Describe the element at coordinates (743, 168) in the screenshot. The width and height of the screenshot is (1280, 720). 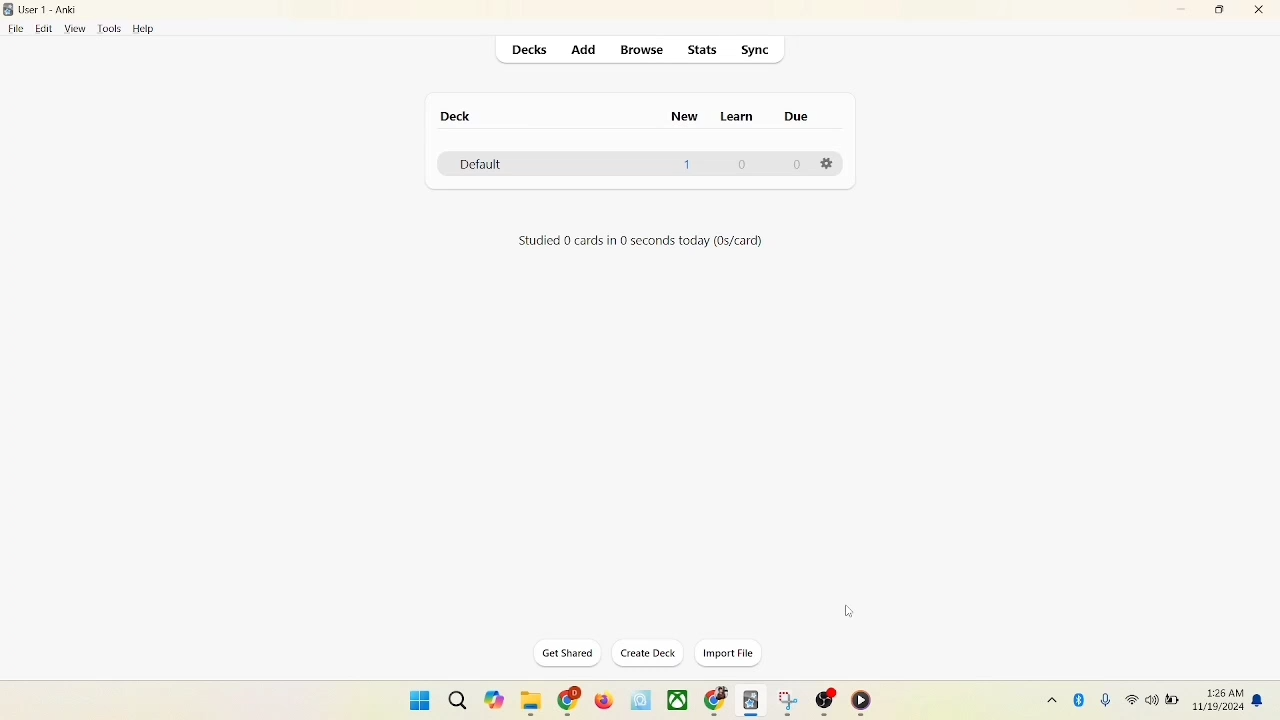
I see `` at that location.